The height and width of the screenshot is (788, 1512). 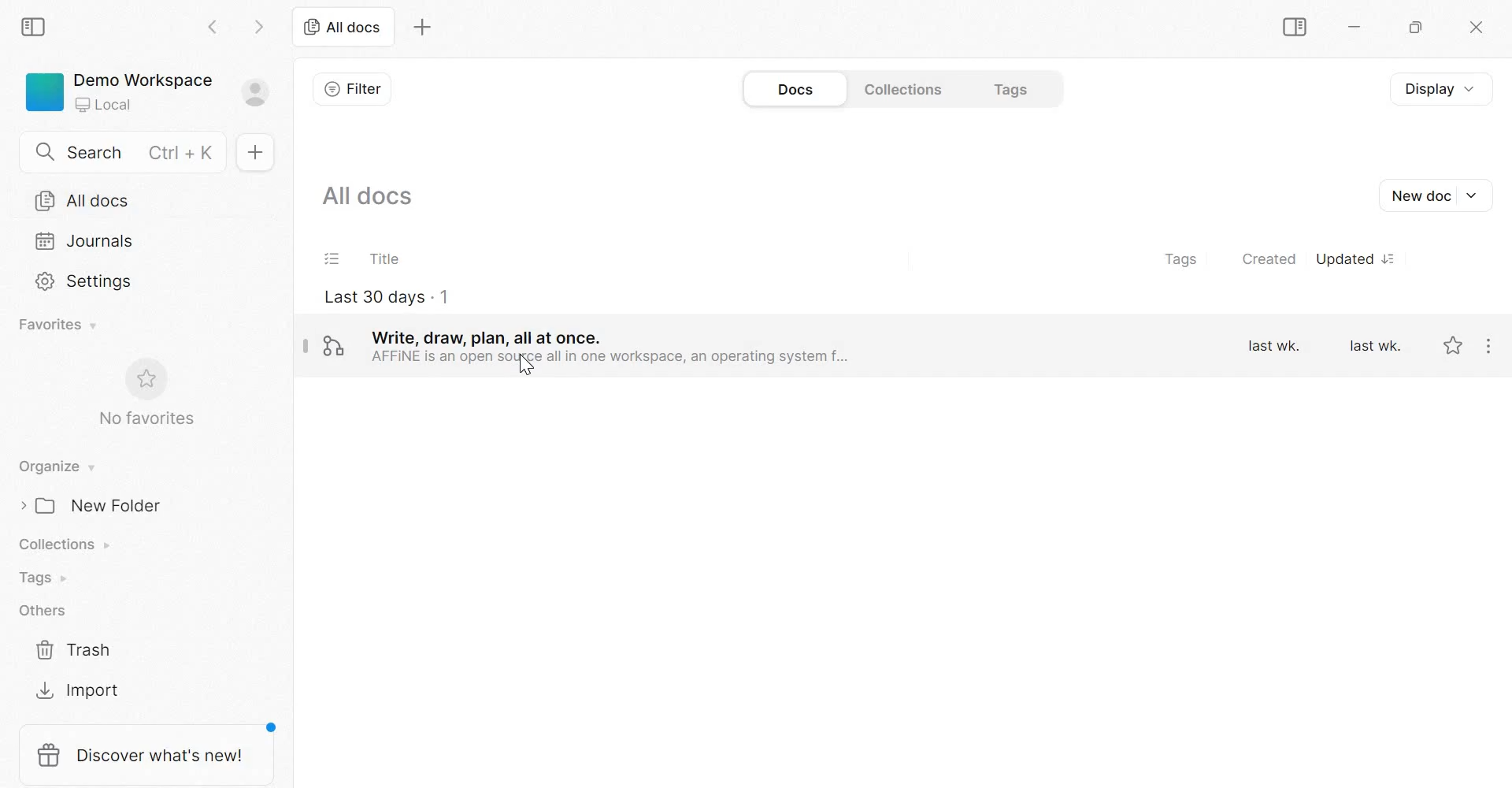 I want to click on collapse sidebar, so click(x=34, y=28).